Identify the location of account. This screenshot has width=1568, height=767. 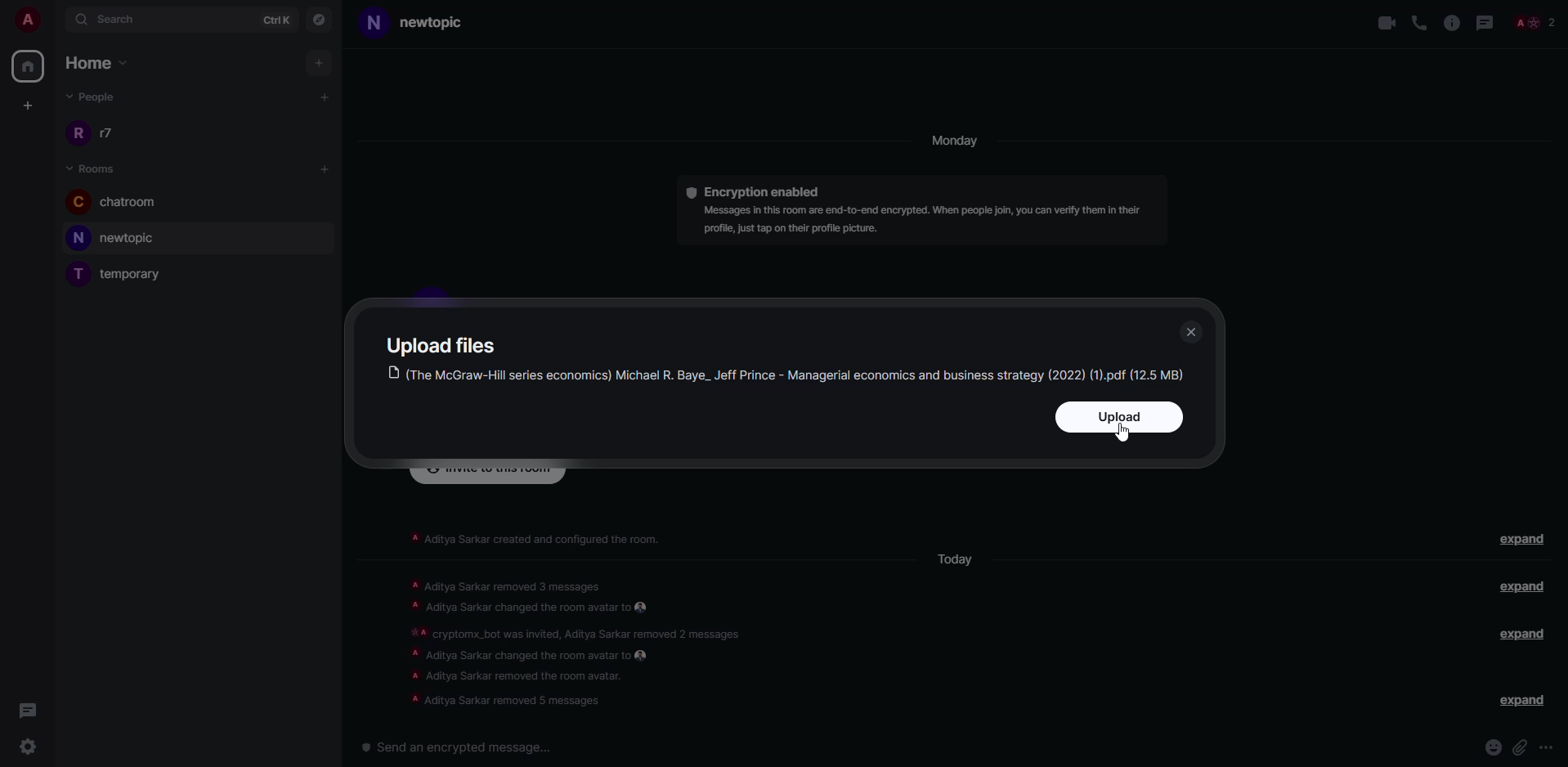
(25, 16).